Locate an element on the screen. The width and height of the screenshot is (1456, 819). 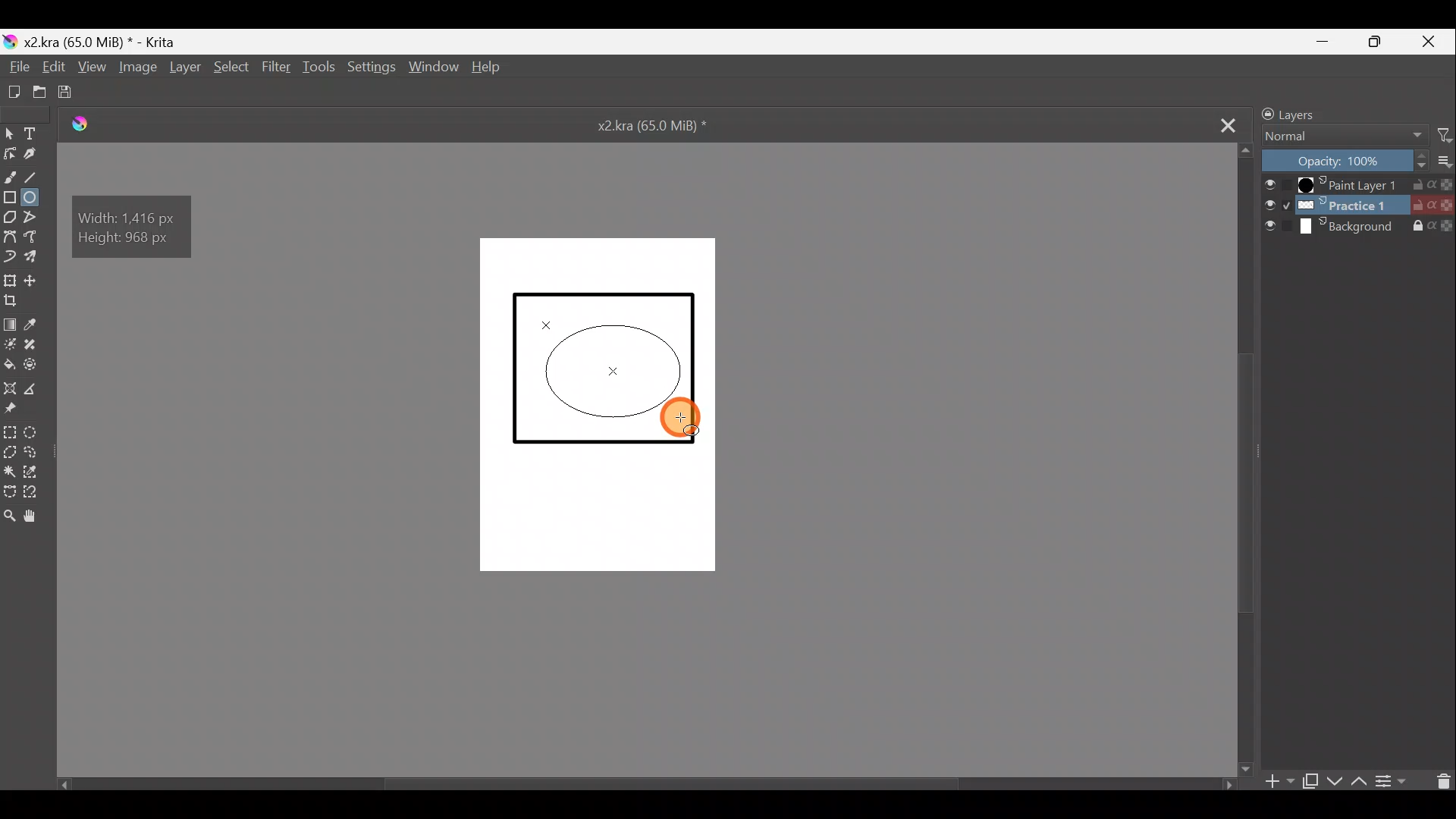
Colourise mask tool is located at coordinates (10, 344).